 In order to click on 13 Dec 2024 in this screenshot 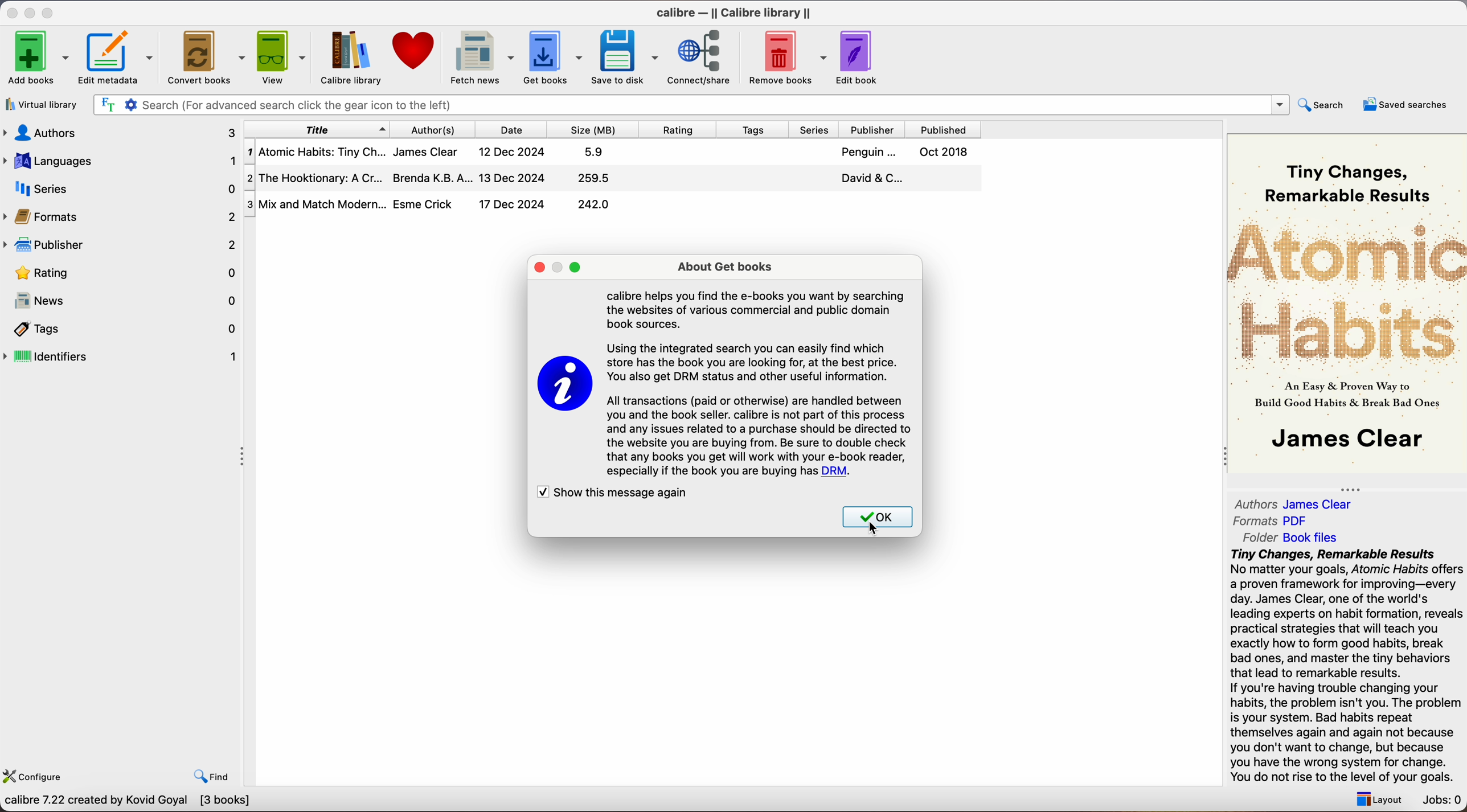, I will do `click(510, 177)`.